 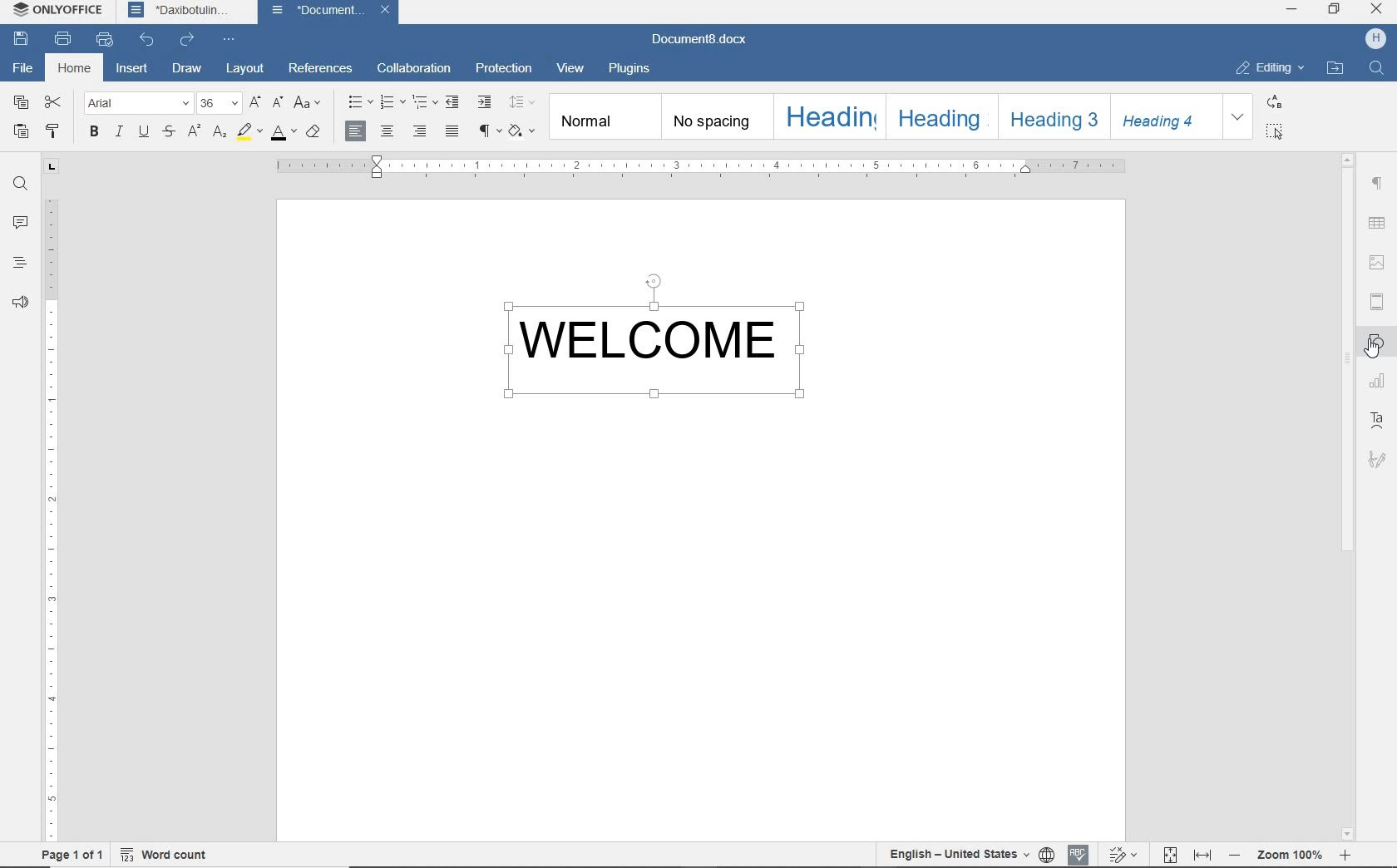 I want to click on BOLD, so click(x=94, y=131).